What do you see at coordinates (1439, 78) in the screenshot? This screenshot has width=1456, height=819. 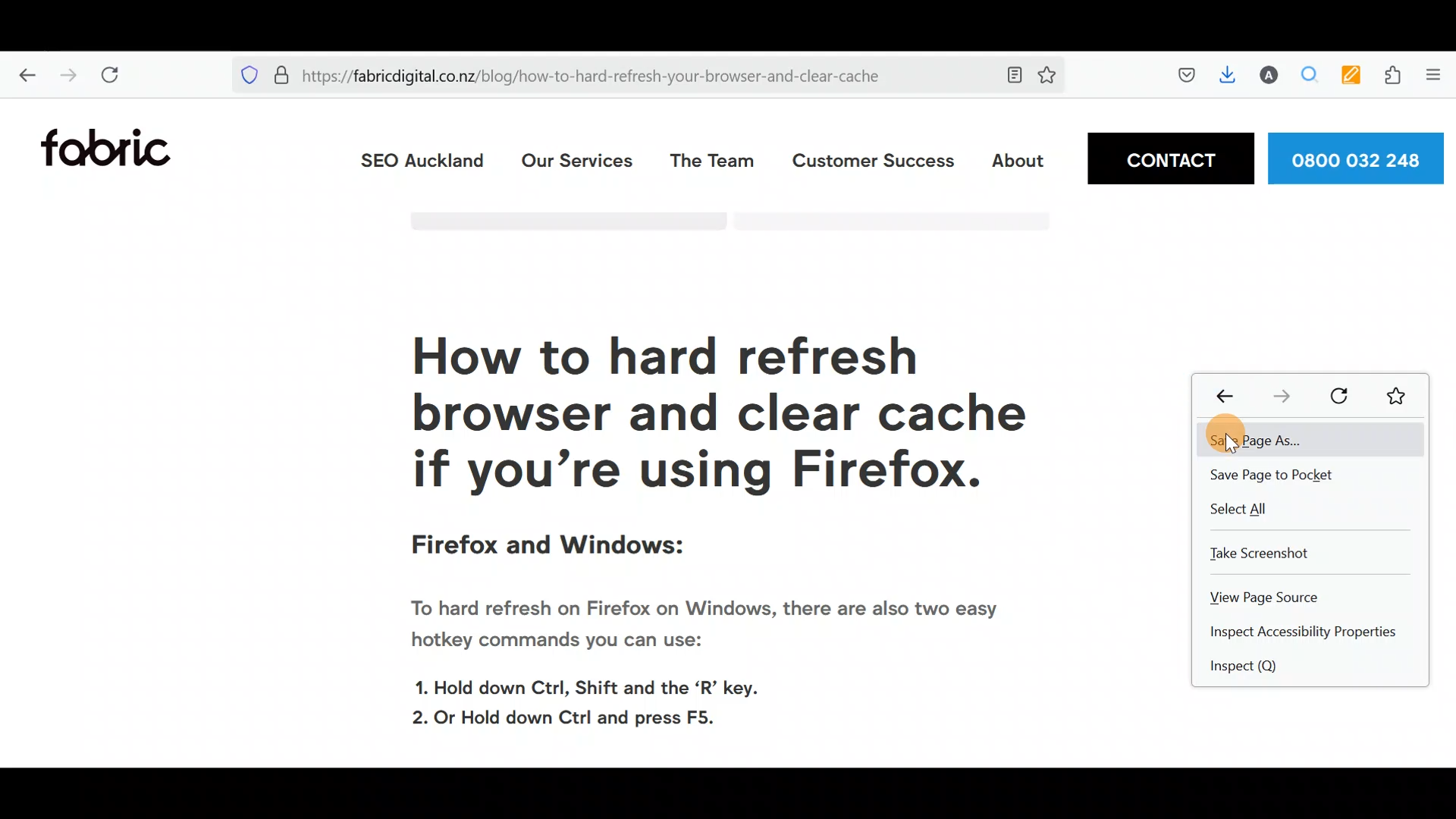 I see `Show application menu` at bounding box center [1439, 78].